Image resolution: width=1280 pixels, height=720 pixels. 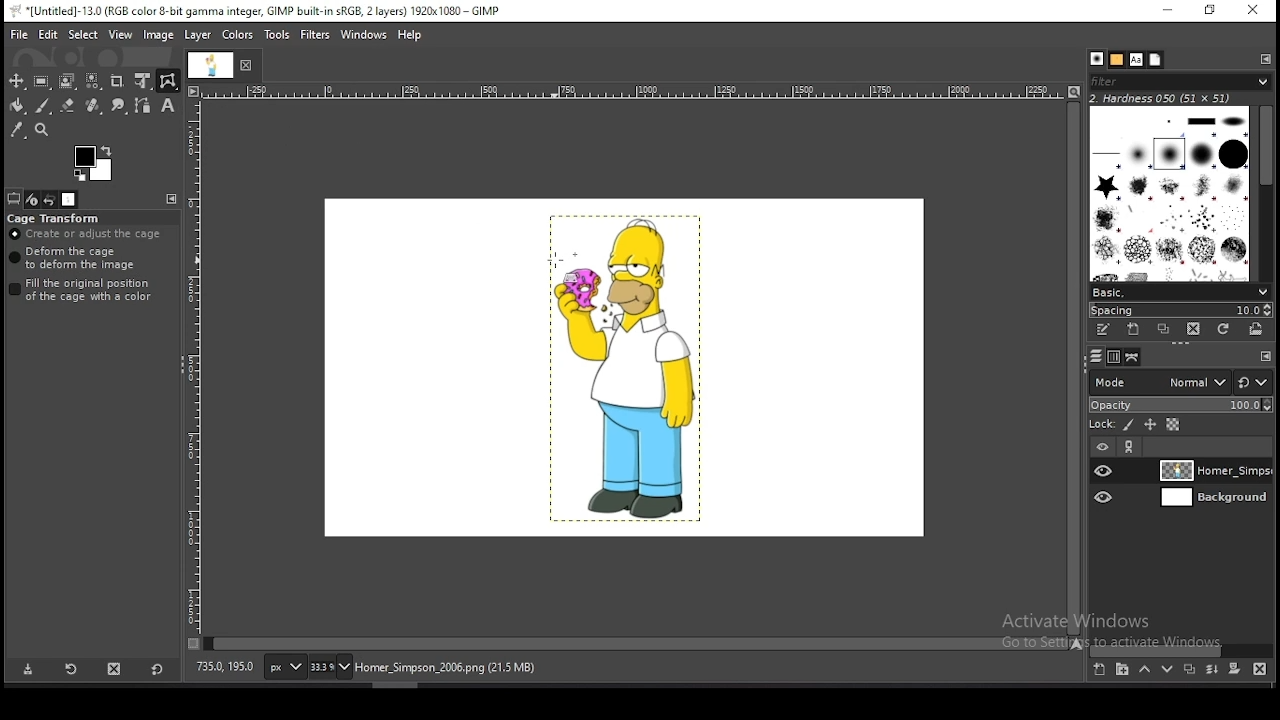 What do you see at coordinates (17, 81) in the screenshot?
I see `move tool` at bounding box center [17, 81].